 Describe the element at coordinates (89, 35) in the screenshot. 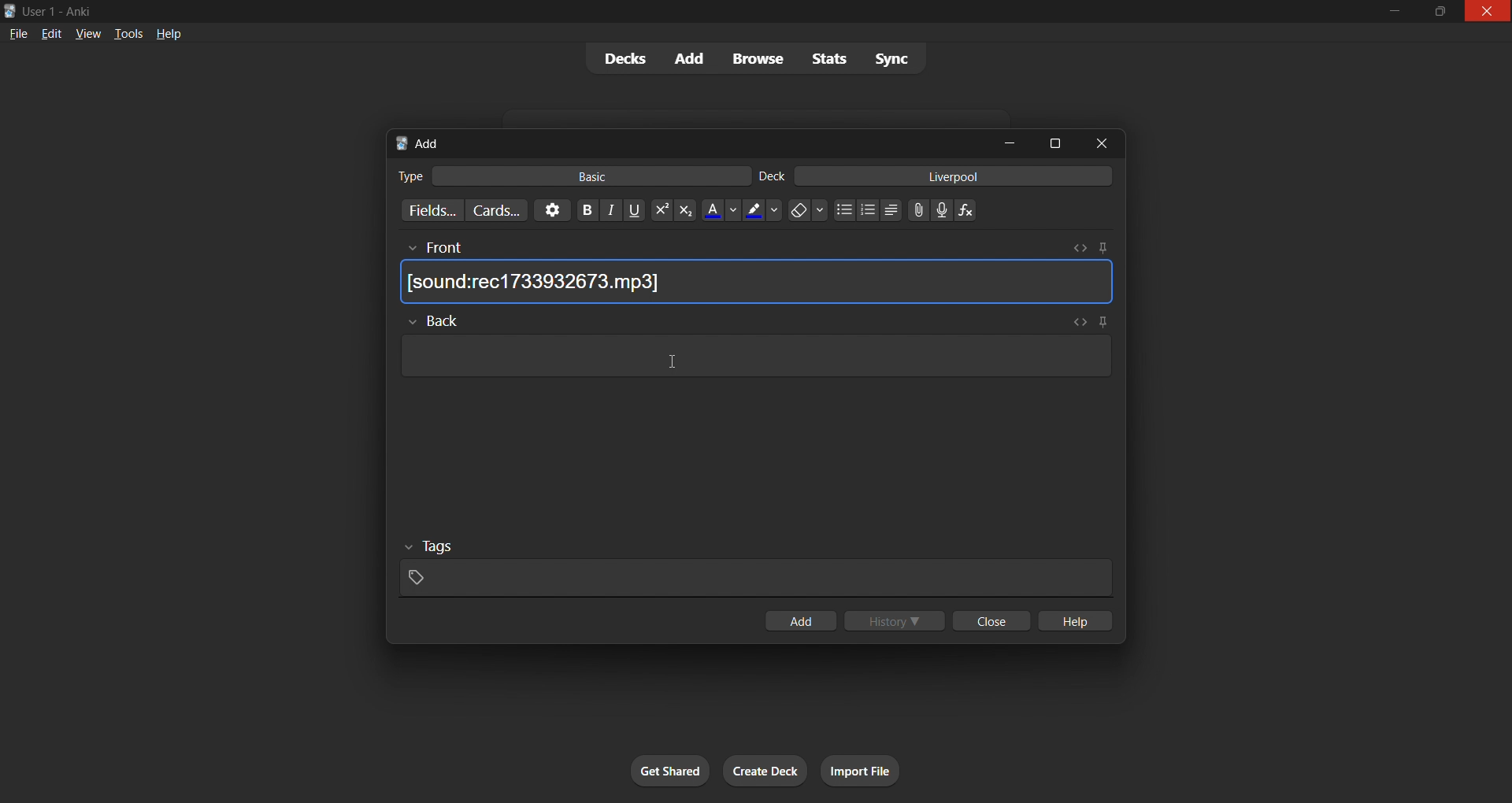

I see `view` at that location.